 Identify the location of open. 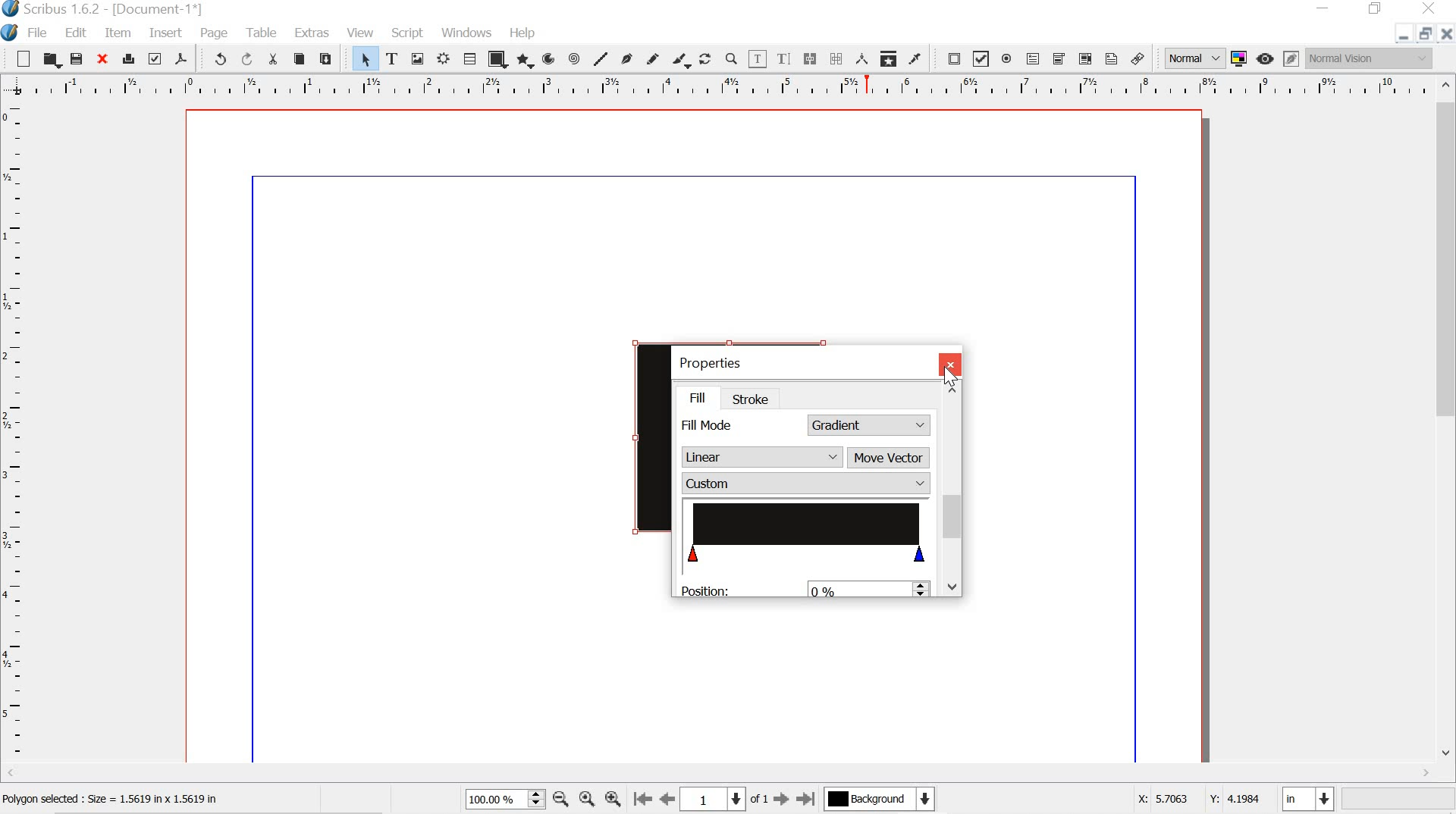
(52, 59).